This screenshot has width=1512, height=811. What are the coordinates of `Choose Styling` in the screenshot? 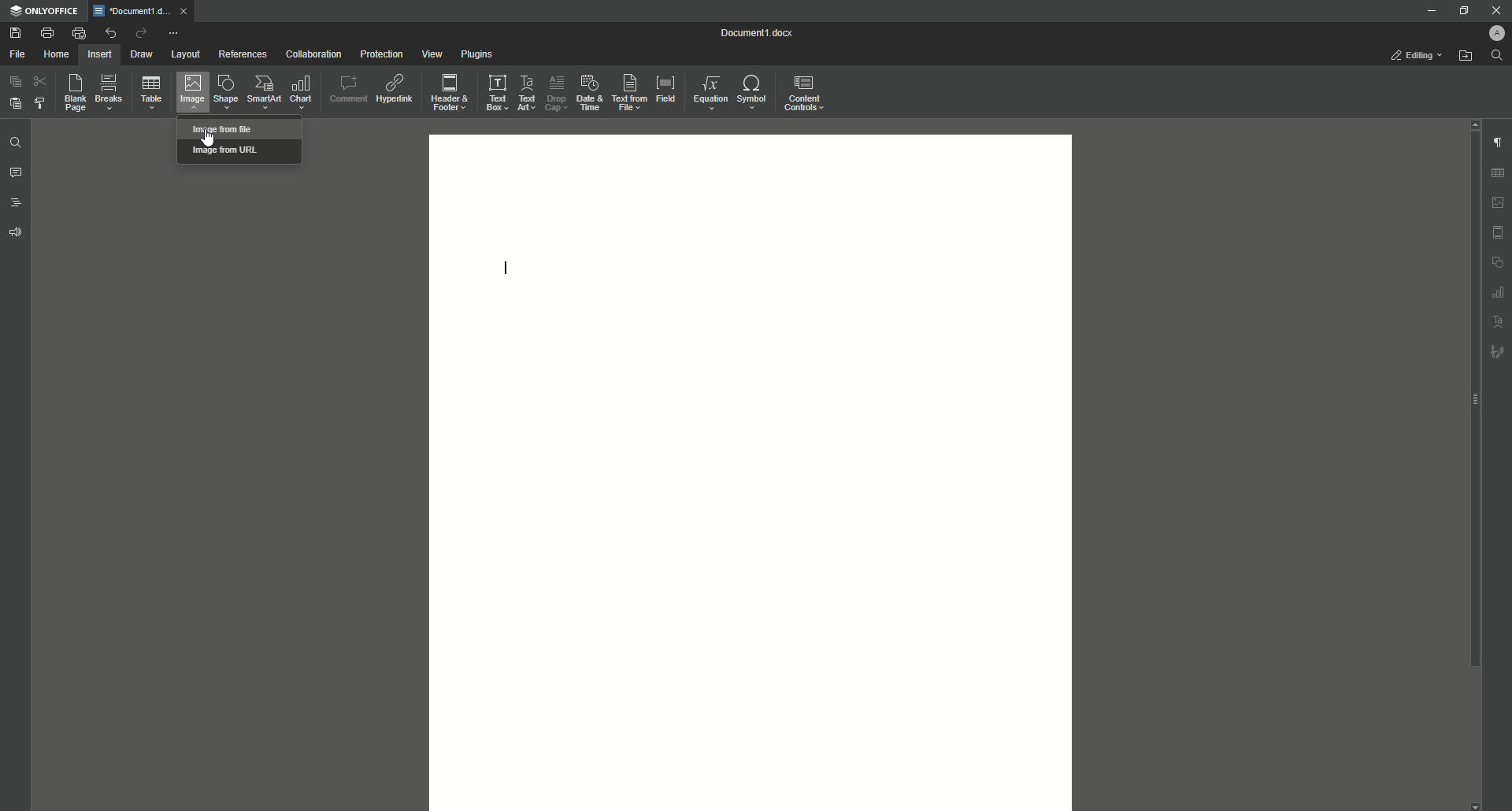 It's located at (41, 103).